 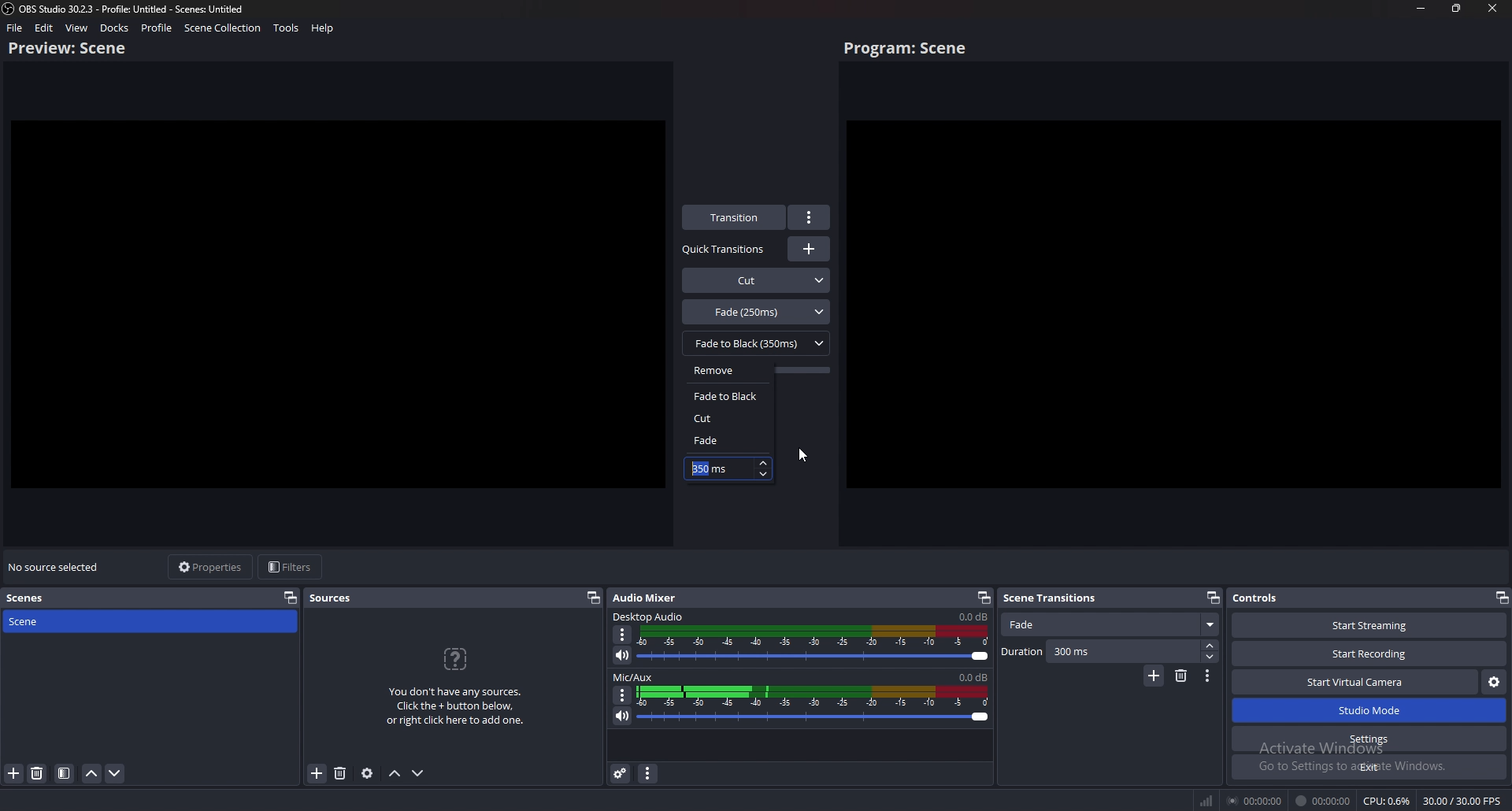 What do you see at coordinates (649, 774) in the screenshot?
I see `audio mixer menu` at bounding box center [649, 774].